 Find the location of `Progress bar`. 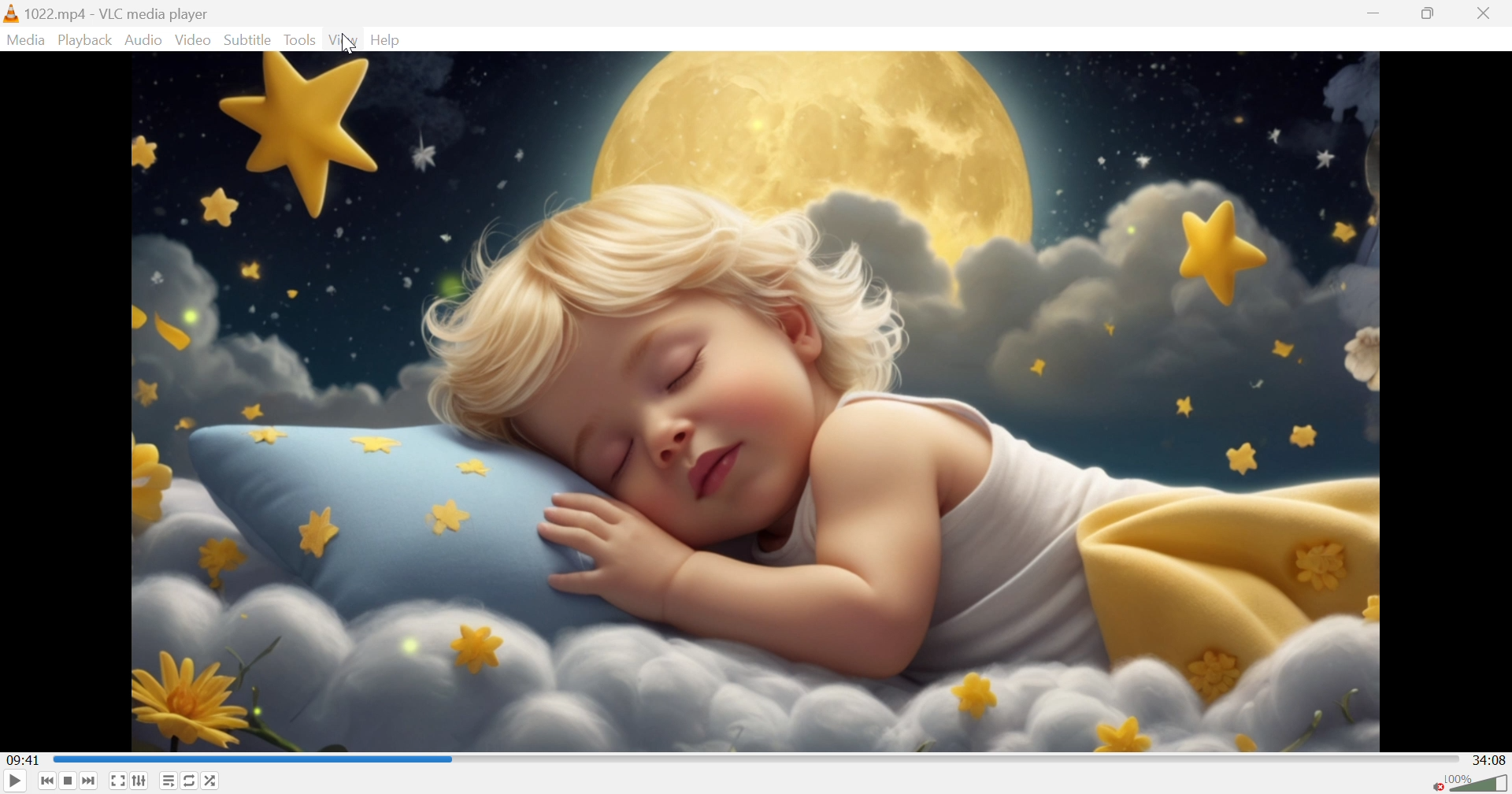

Progress bar is located at coordinates (758, 762).